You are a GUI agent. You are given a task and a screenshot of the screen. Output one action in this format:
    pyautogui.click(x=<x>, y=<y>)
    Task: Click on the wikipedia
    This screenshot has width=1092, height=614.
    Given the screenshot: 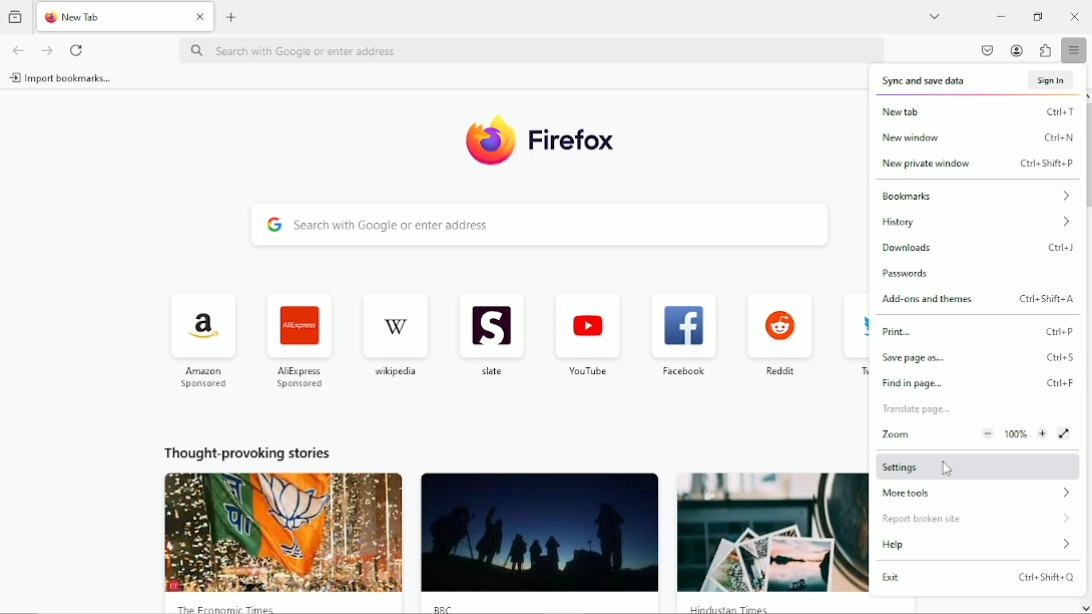 What is the action you would take?
    pyautogui.click(x=393, y=320)
    